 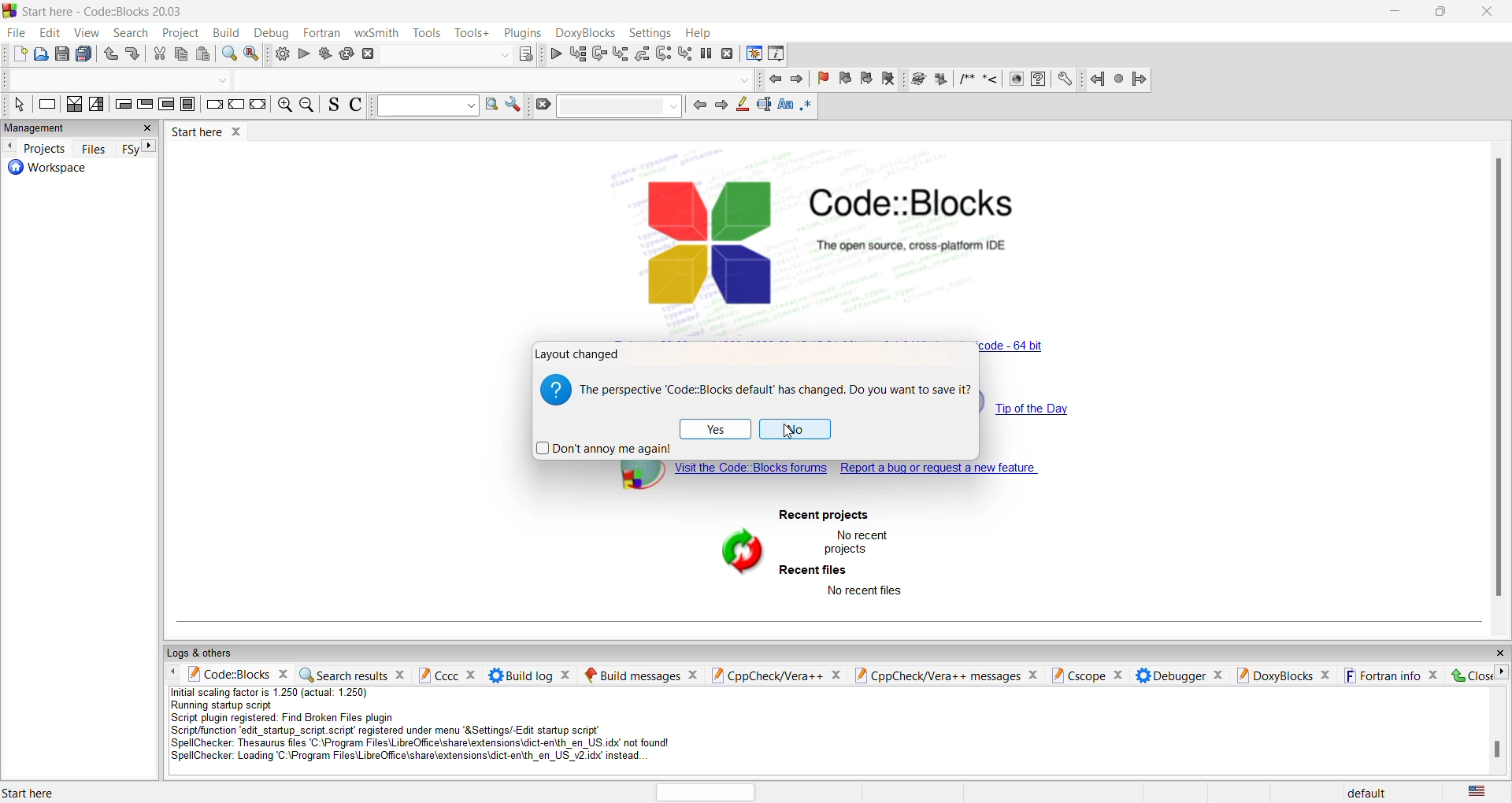 What do you see at coordinates (525, 54) in the screenshot?
I see `show the select target dialog` at bounding box center [525, 54].